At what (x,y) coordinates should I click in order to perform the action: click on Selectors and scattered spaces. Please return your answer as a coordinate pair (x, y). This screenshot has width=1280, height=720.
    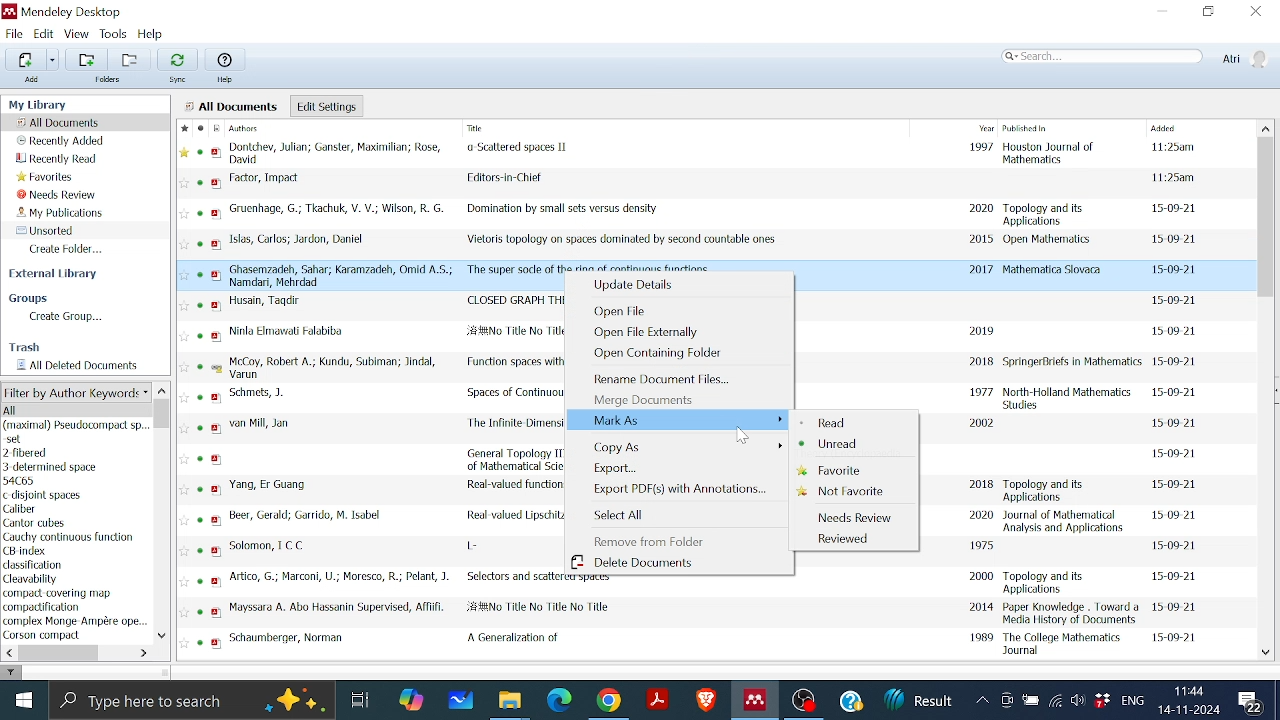
    Looking at the image, I should click on (366, 580).